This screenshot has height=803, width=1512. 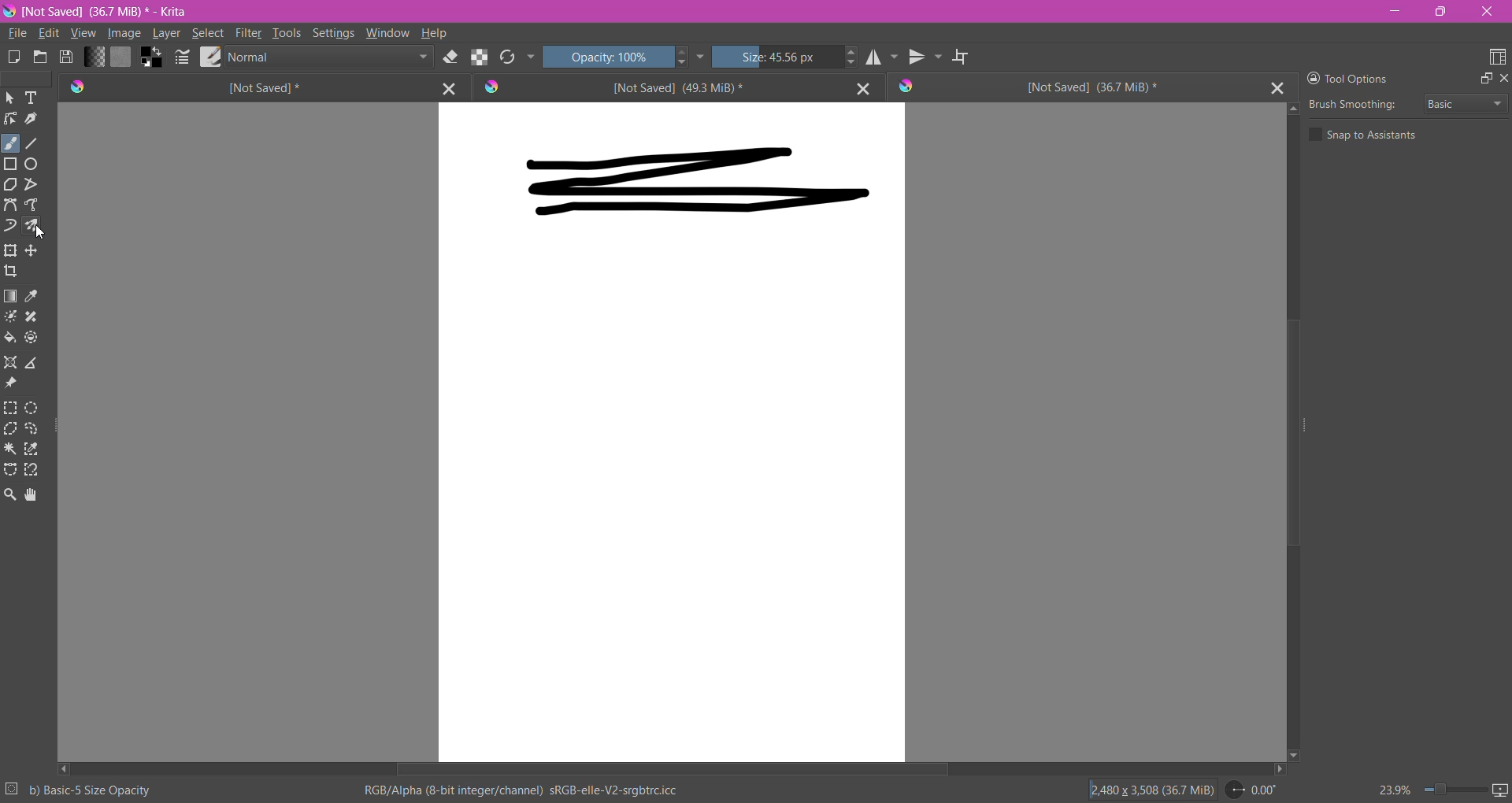 I want to click on Open and existing Document, so click(x=40, y=57).